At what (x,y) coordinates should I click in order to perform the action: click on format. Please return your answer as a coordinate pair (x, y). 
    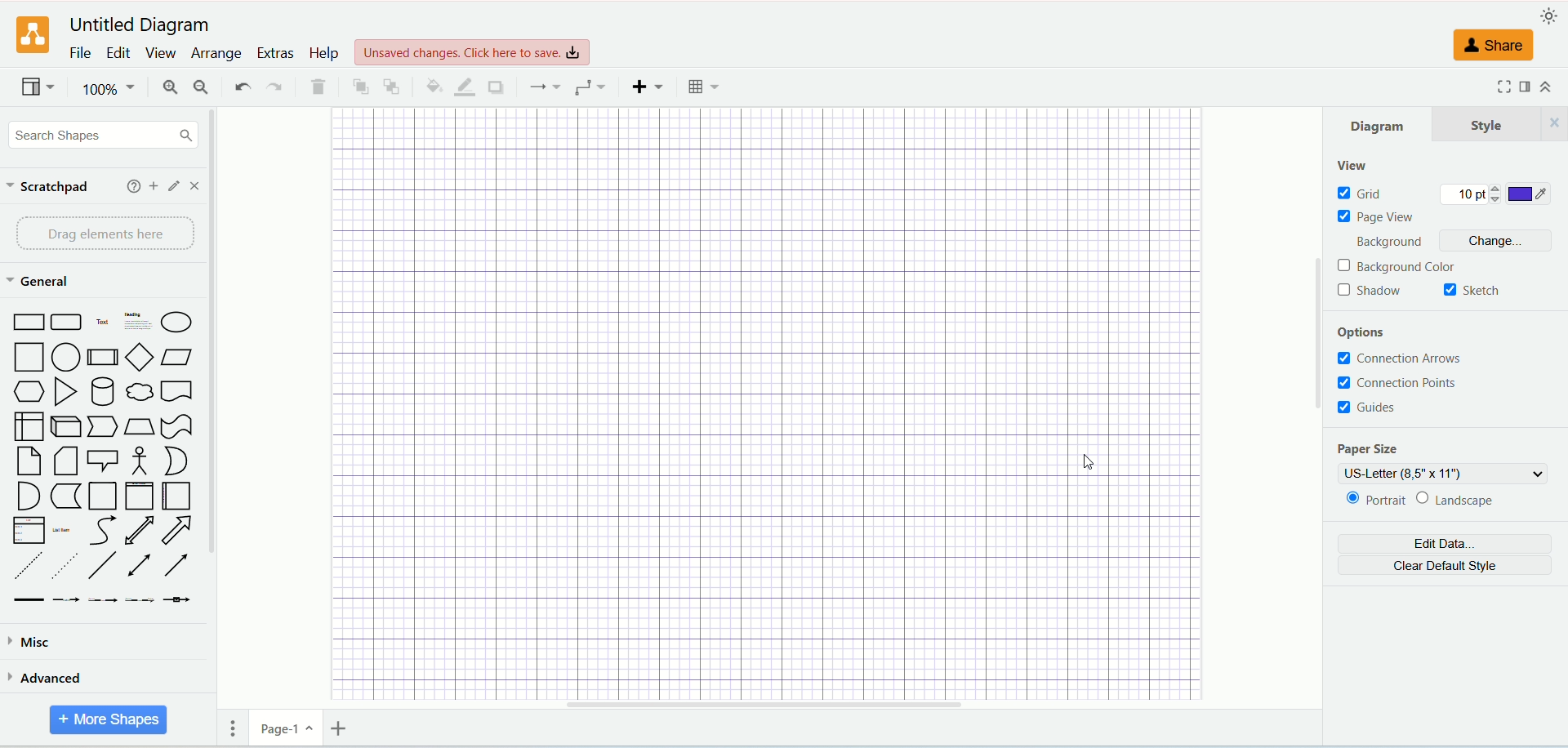
    Looking at the image, I should click on (1523, 86).